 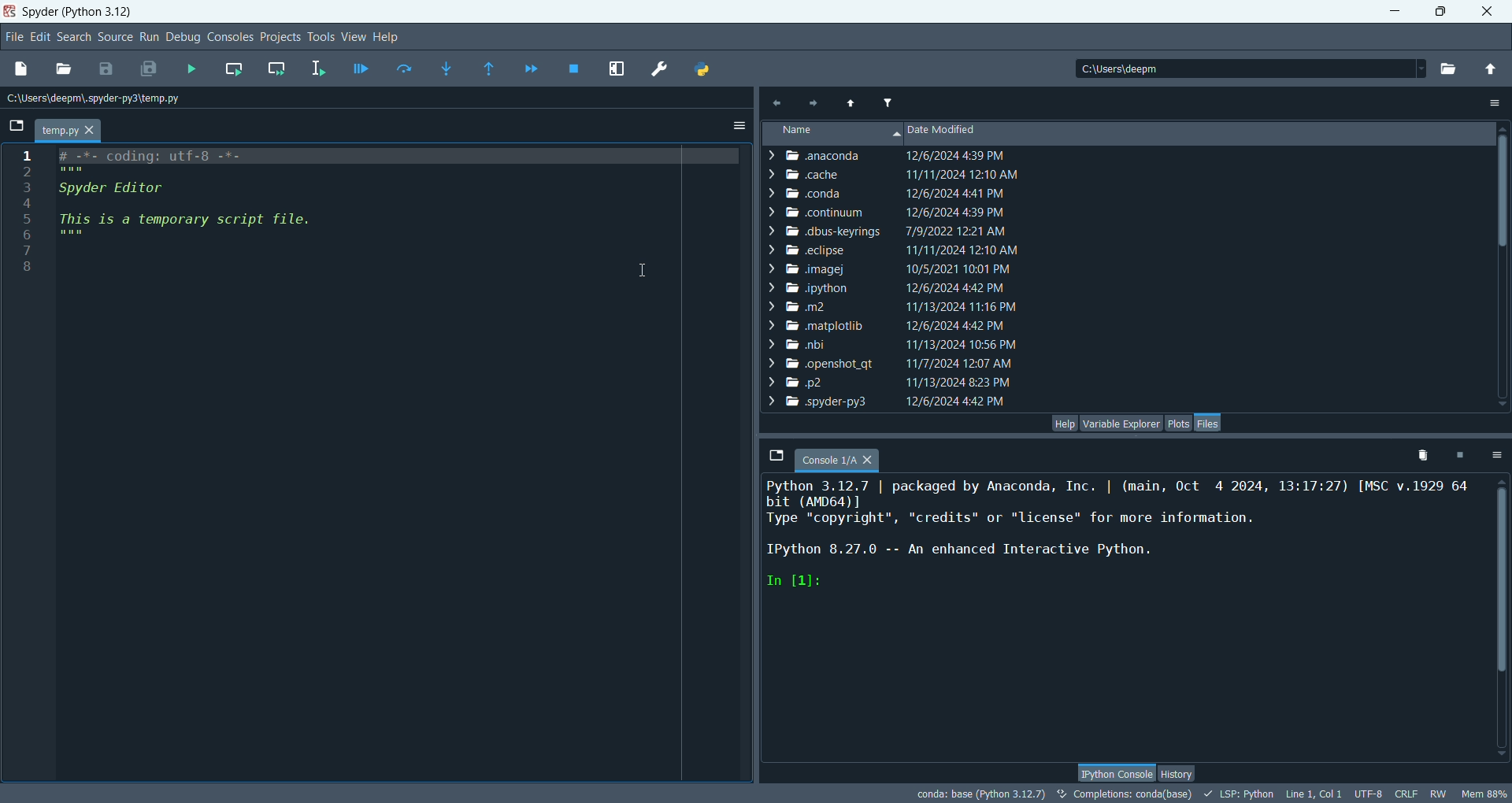 What do you see at coordinates (1406, 794) in the screenshot?
I see `CRLF` at bounding box center [1406, 794].